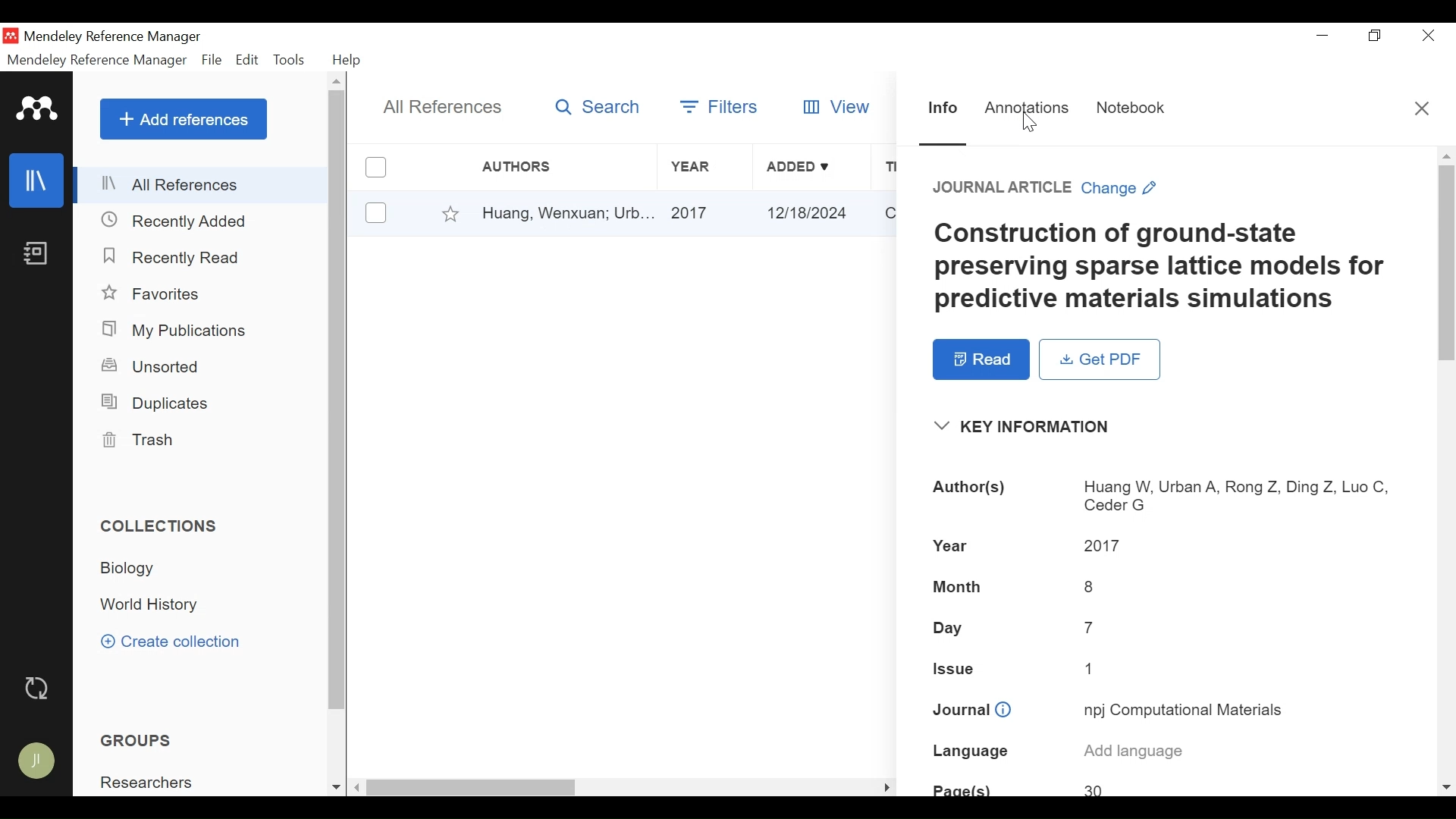 Image resolution: width=1456 pixels, height=819 pixels. I want to click on Search, so click(598, 106).